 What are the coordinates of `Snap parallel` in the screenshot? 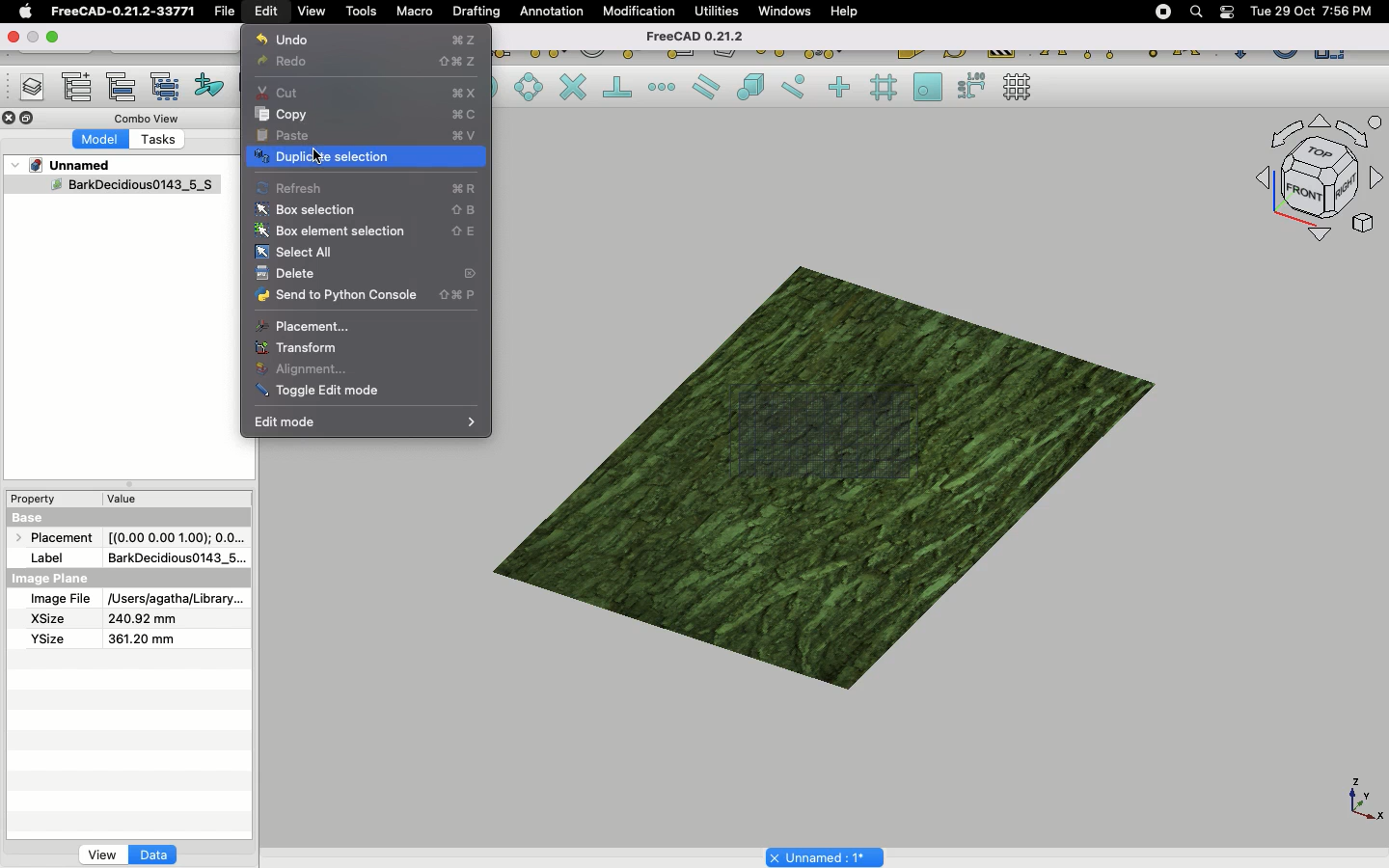 It's located at (706, 87).